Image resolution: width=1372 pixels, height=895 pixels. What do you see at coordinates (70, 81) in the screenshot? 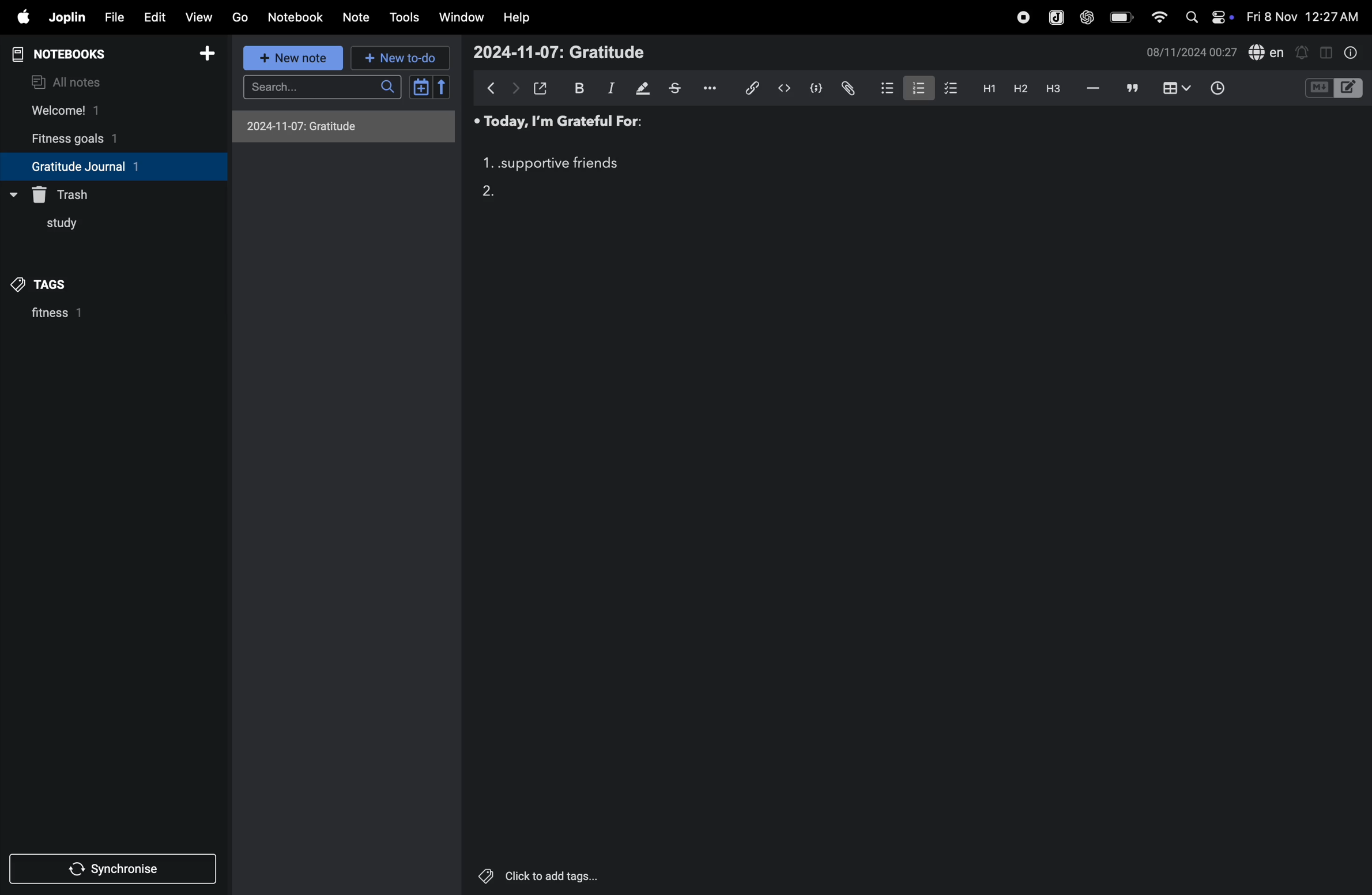
I see `all notes` at bounding box center [70, 81].